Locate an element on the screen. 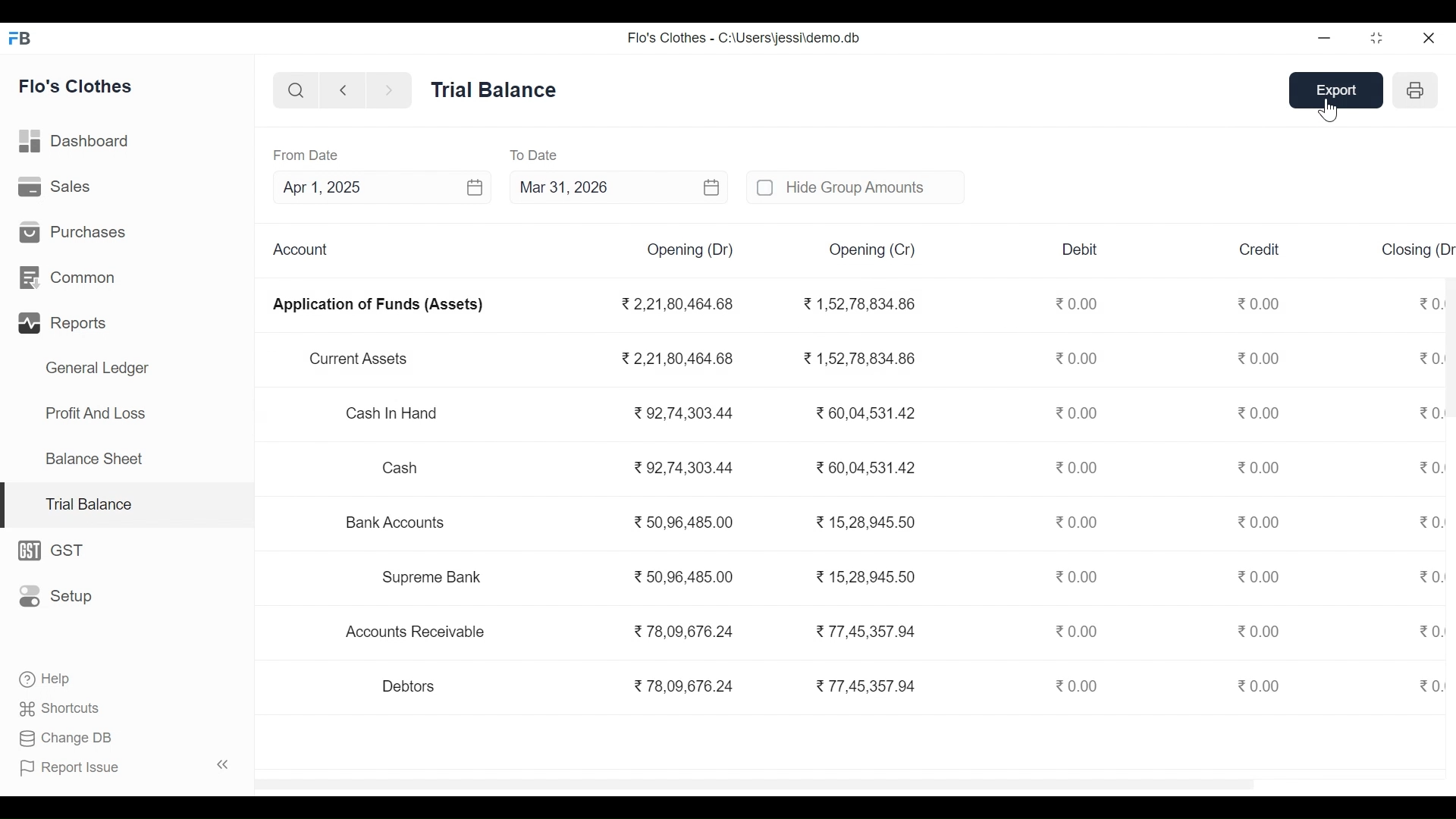 Image resolution: width=1456 pixels, height=819 pixels. 92,74,303.44 is located at coordinates (683, 467).